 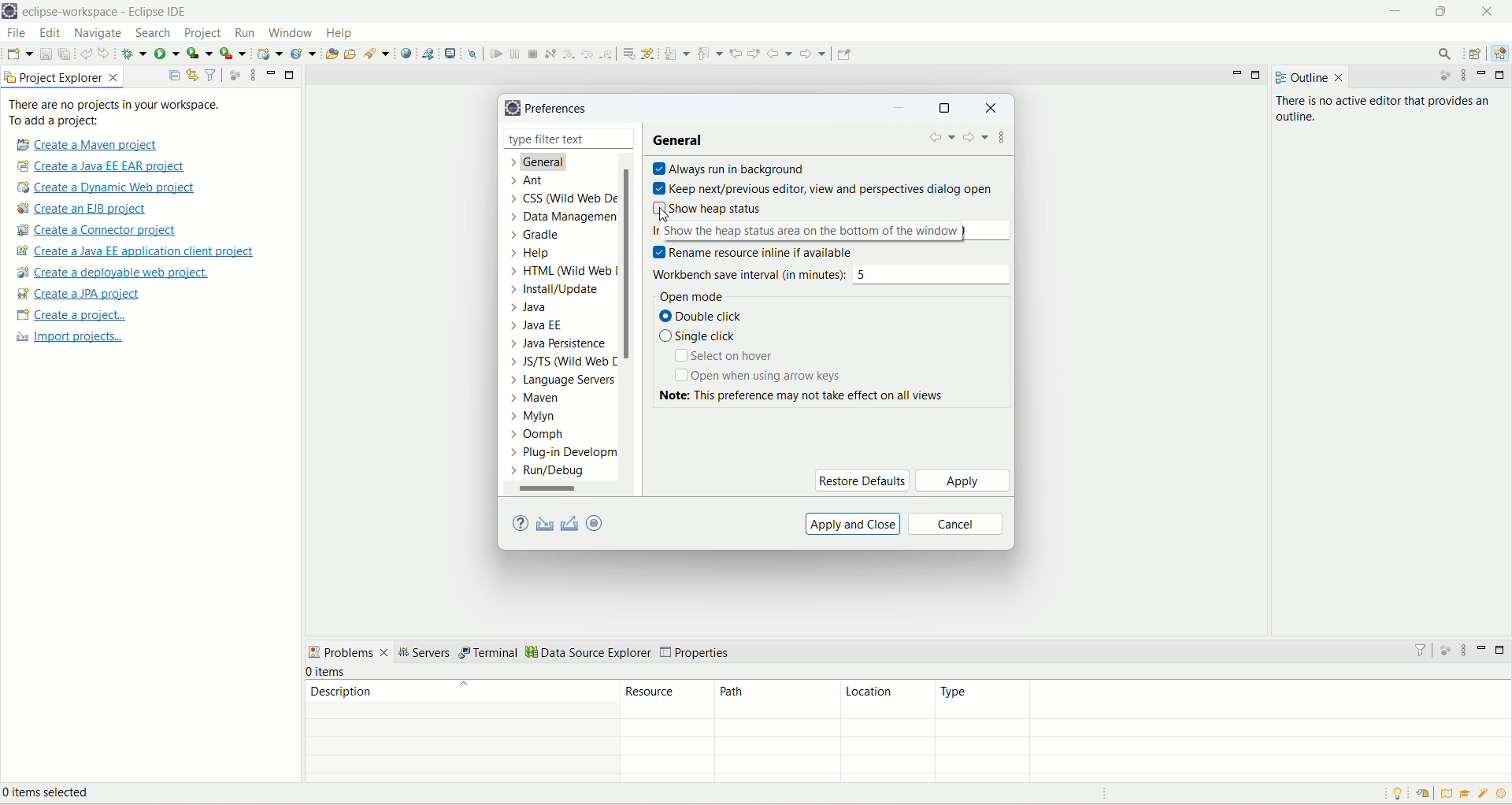 I want to click on previous edit location, so click(x=736, y=54).